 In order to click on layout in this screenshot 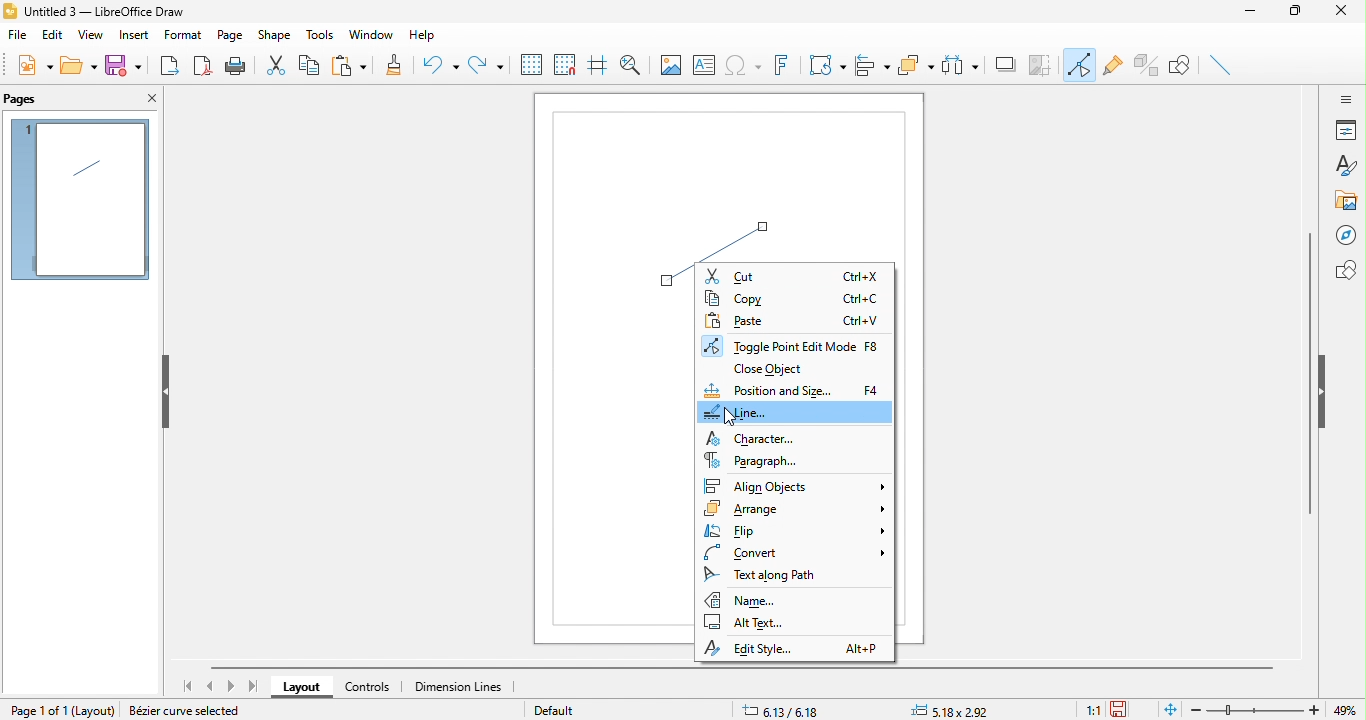, I will do `click(301, 689)`.